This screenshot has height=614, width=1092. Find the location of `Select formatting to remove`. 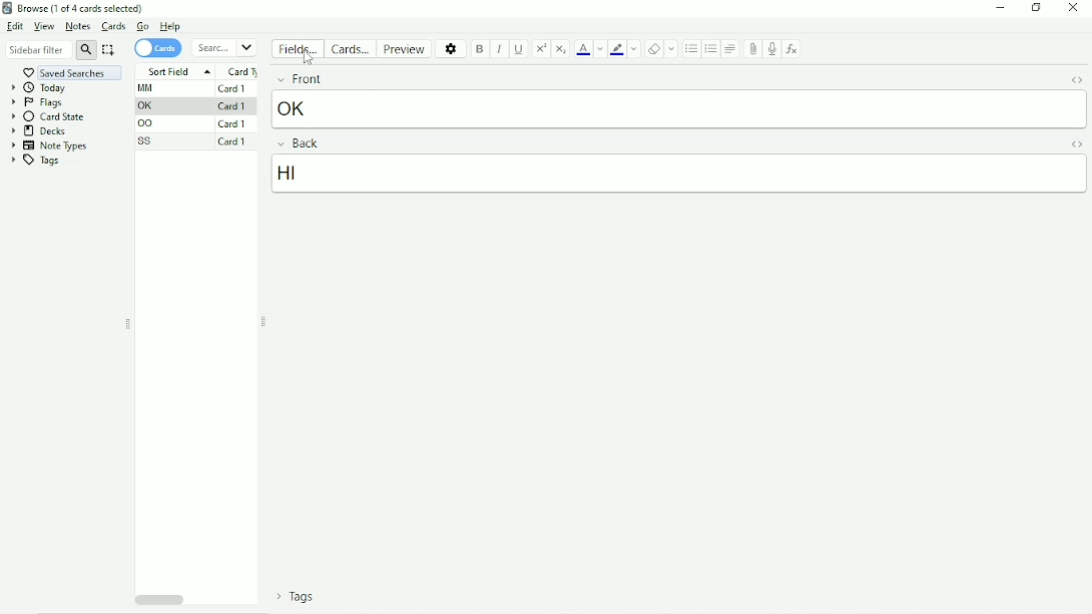

Select formatting to remove is located at coordinates (672, 48).